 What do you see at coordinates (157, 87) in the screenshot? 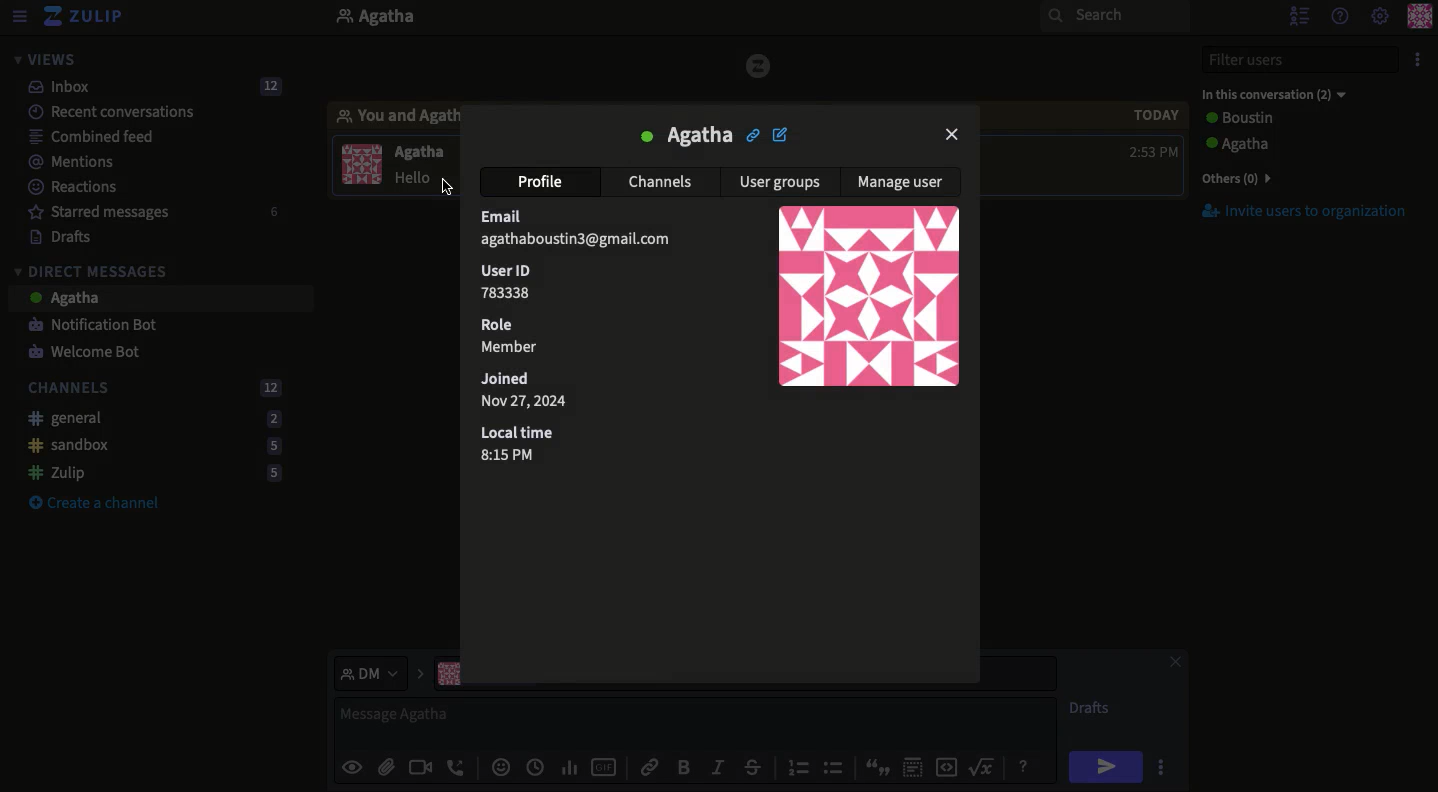
I see `Inbox` at bounding box center [157, 87].